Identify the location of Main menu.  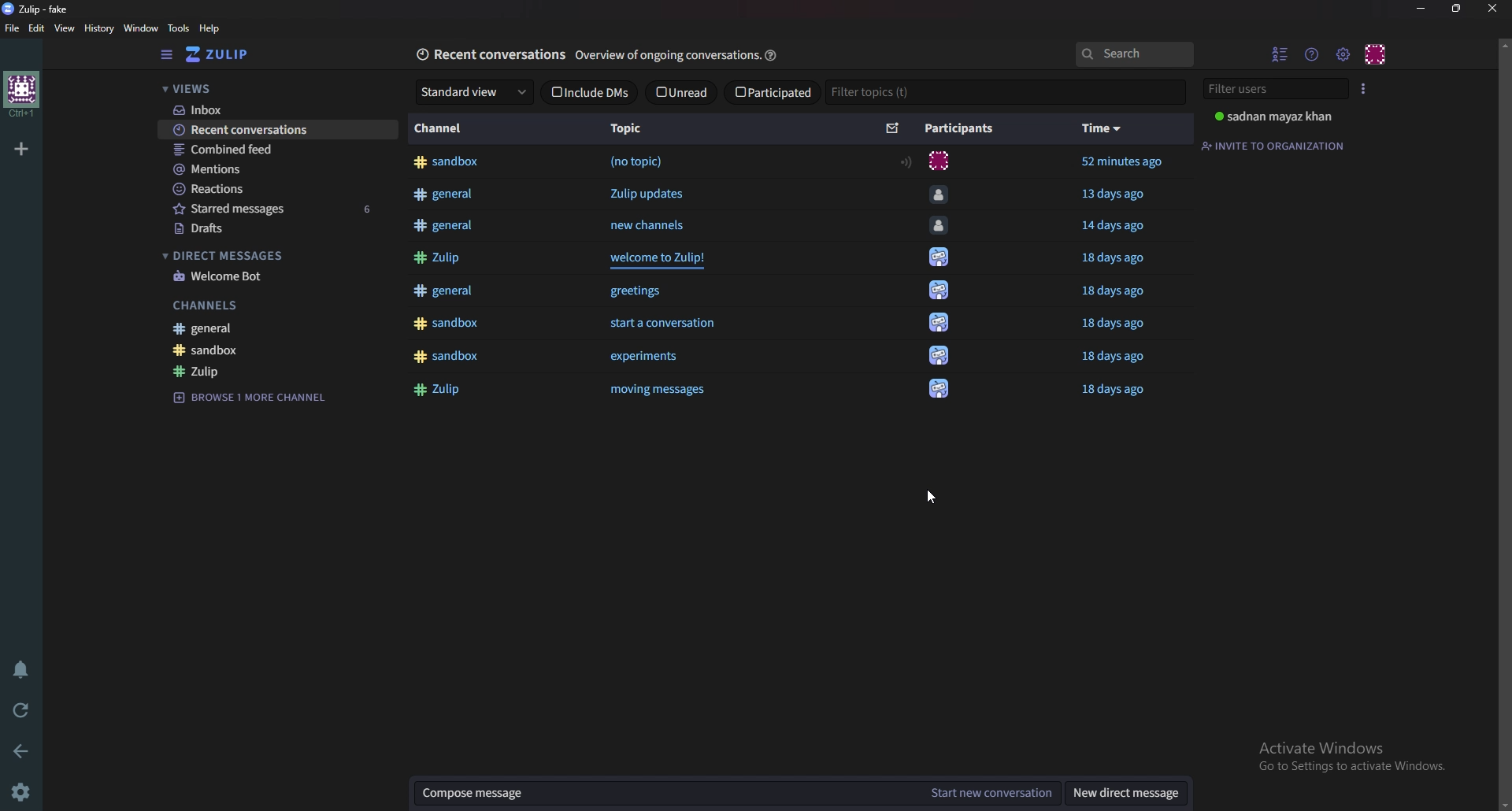
(1342, 54).